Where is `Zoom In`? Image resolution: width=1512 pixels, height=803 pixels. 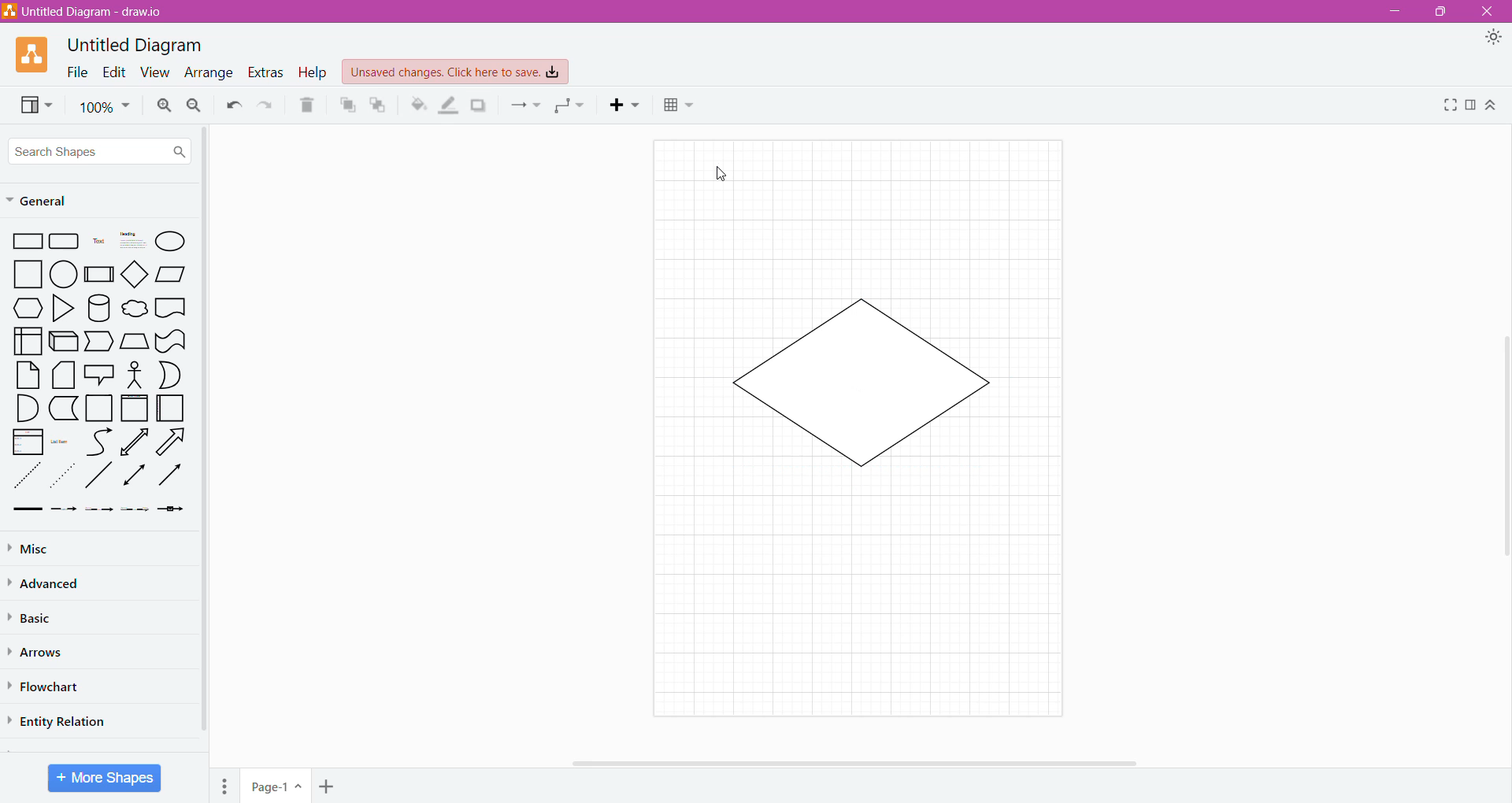 Zoom In is located at coordinates (162, 105).